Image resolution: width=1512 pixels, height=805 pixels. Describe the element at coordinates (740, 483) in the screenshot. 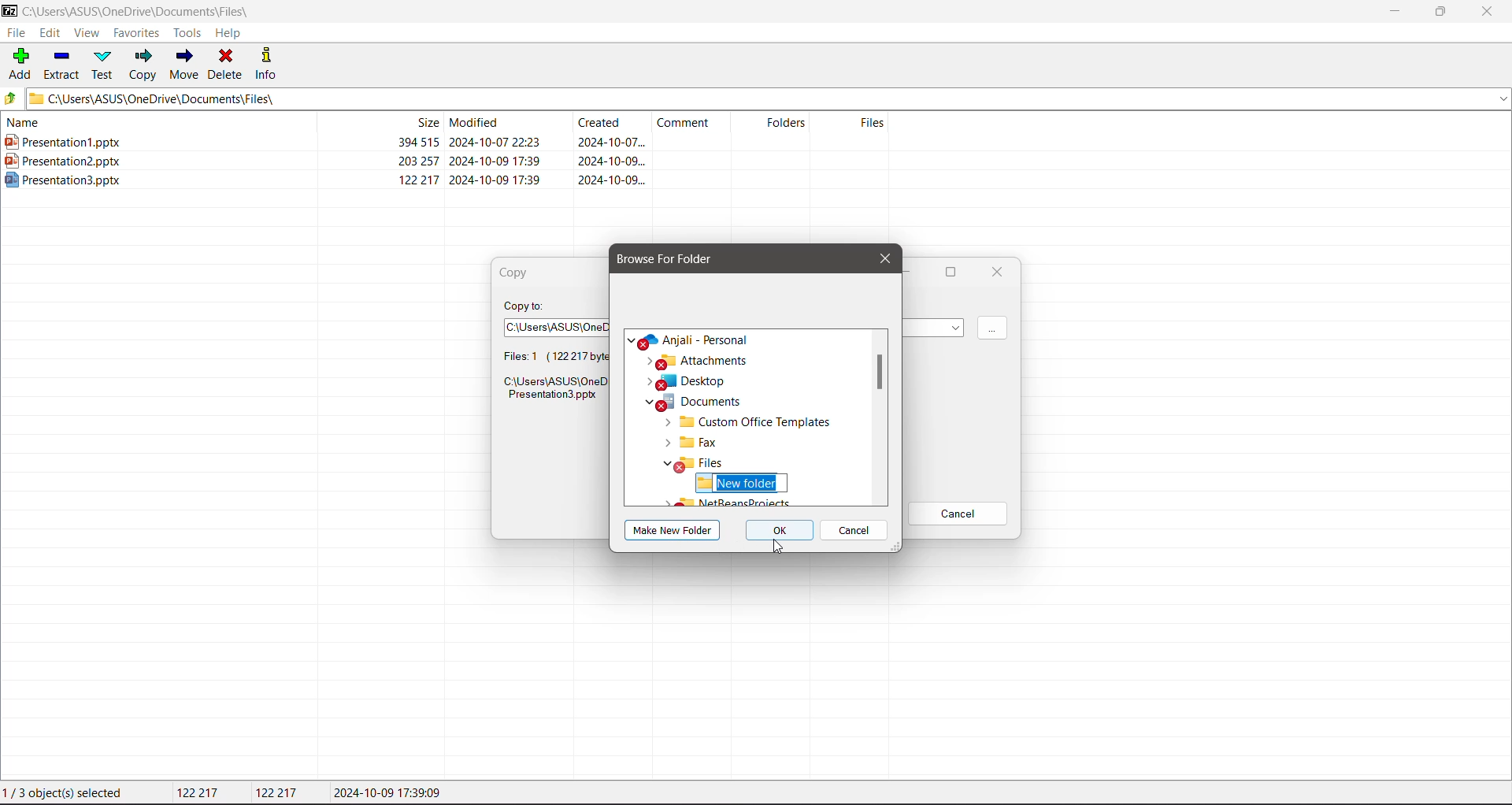

I see `New Folder created` at that location.